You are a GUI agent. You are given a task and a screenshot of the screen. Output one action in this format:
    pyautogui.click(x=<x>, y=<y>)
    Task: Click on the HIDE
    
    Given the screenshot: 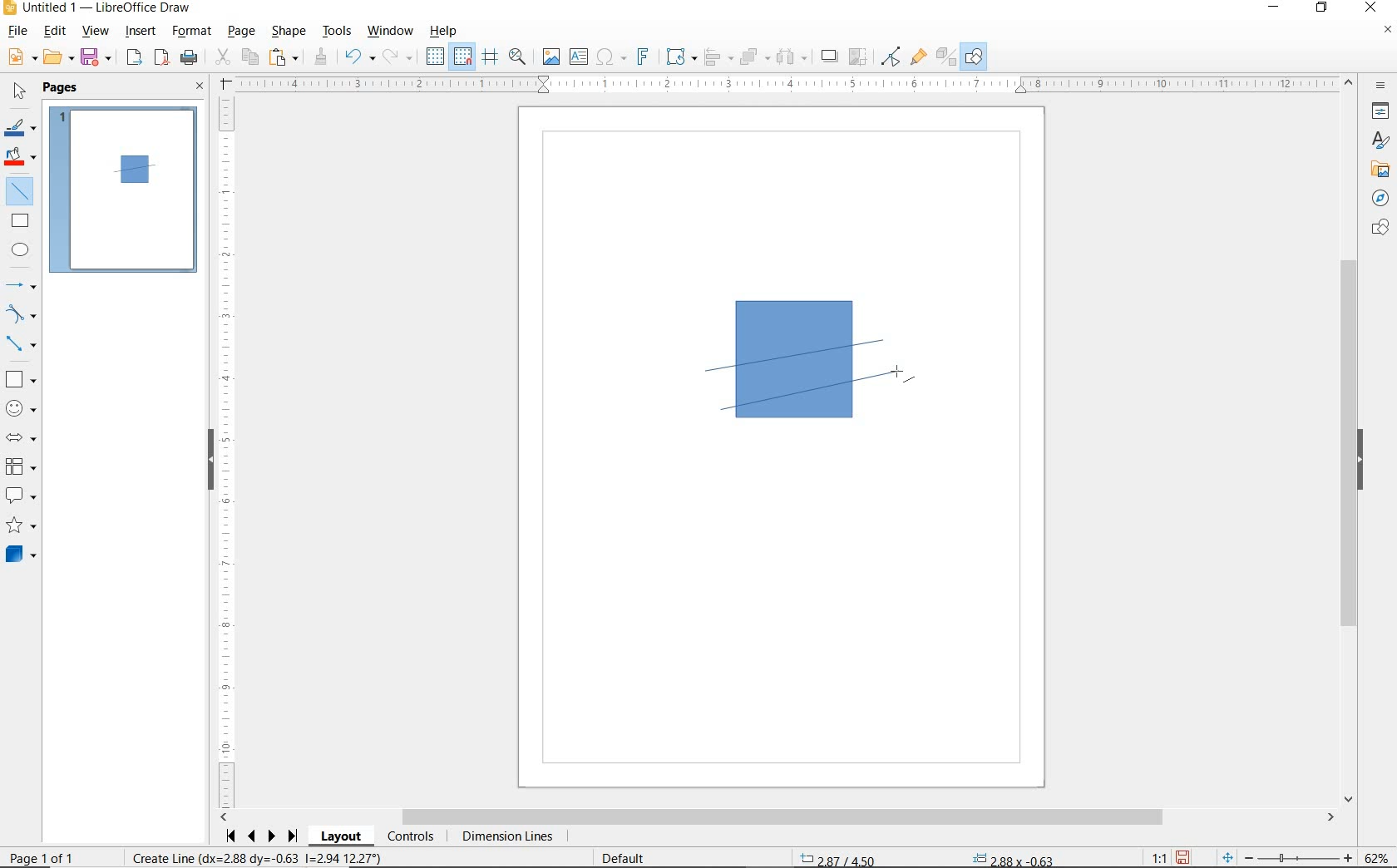 What is the action you would take?
    pyautogui.click(x=1360, y=461)
    